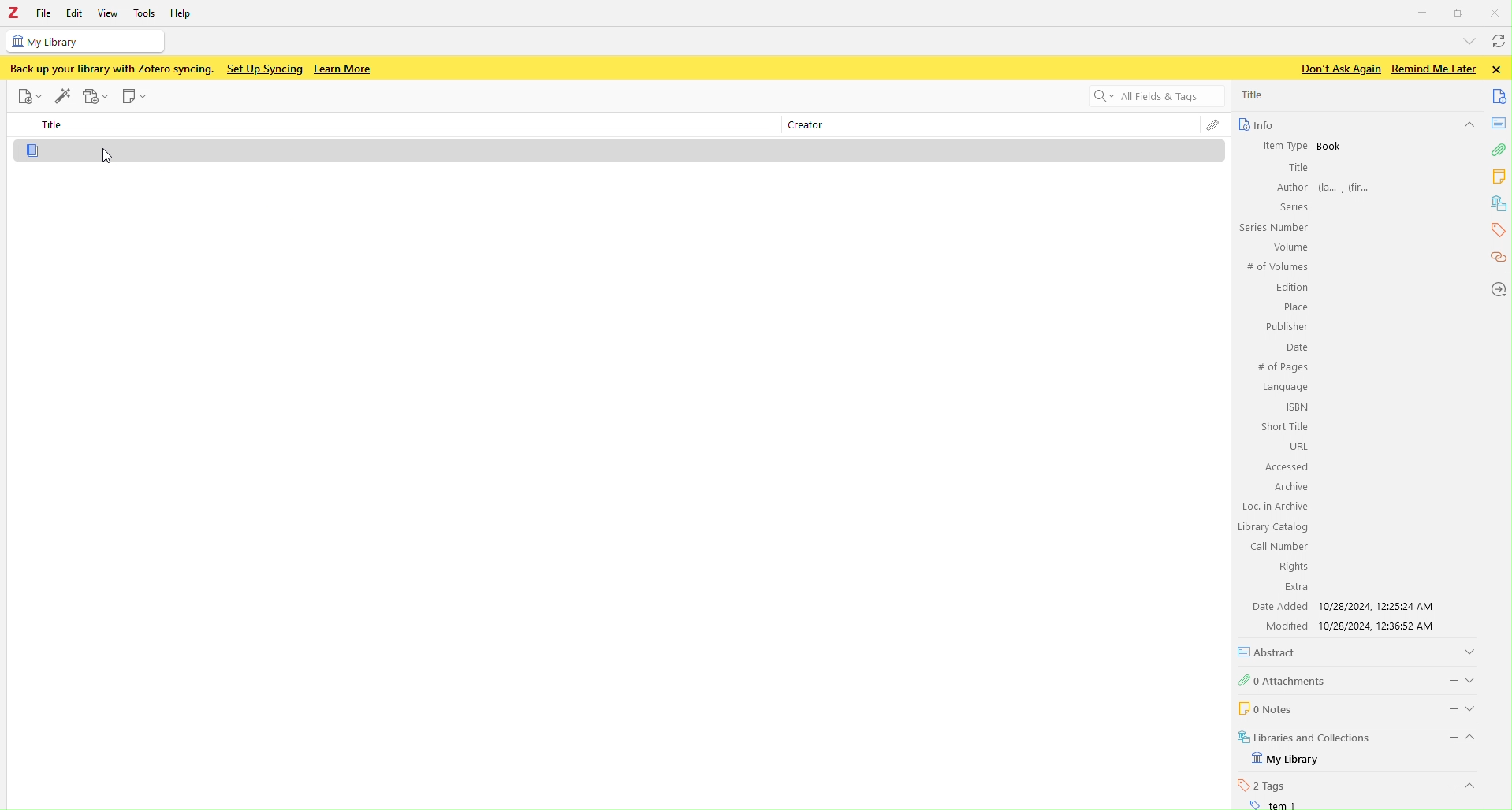  Describe the element at coordinates (1287, 760) in the screenshot. I see `My Library` at that location.